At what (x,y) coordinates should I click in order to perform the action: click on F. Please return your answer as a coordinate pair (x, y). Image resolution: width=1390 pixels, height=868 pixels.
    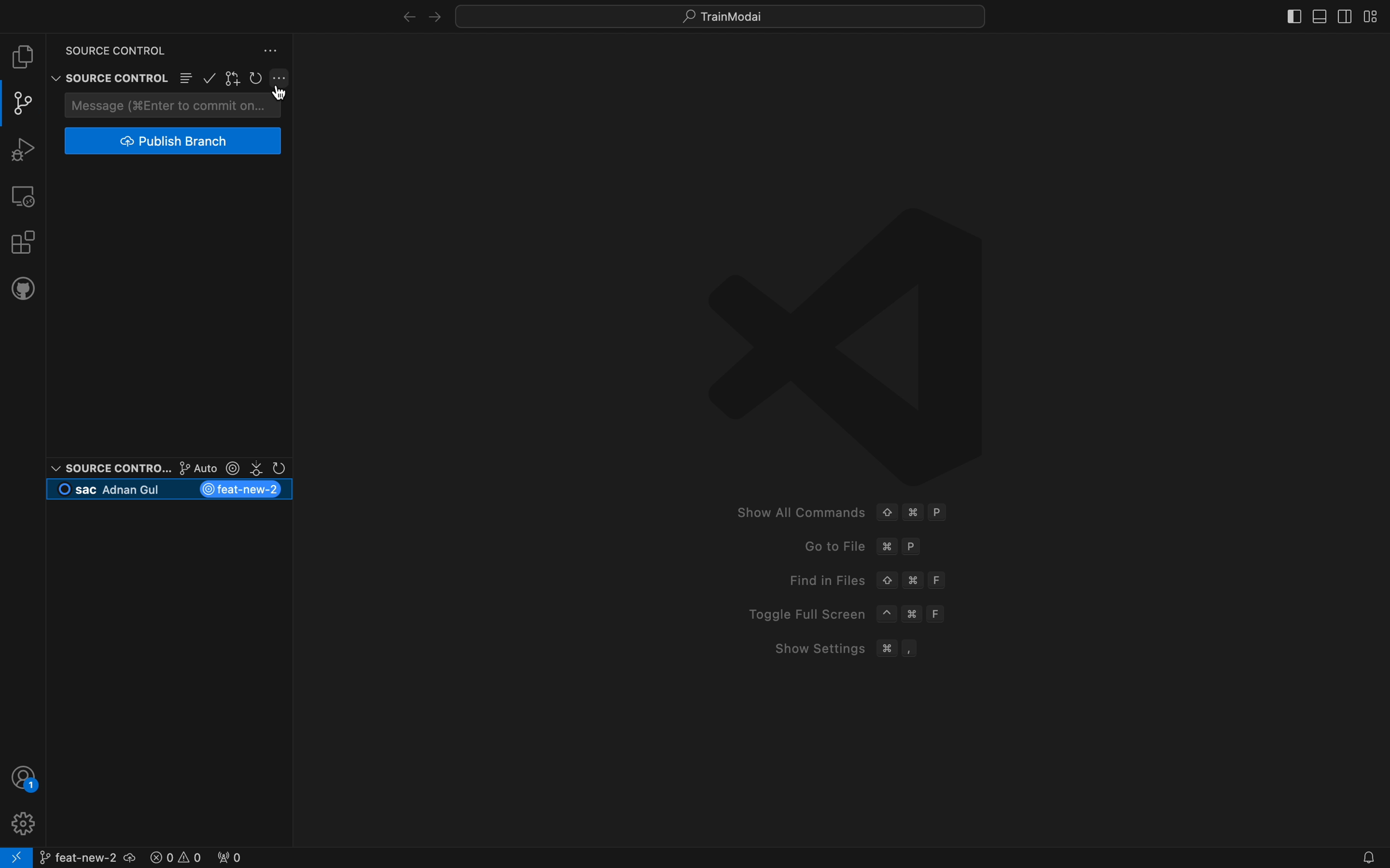
    Looking at the image, I should click on (940, 614).